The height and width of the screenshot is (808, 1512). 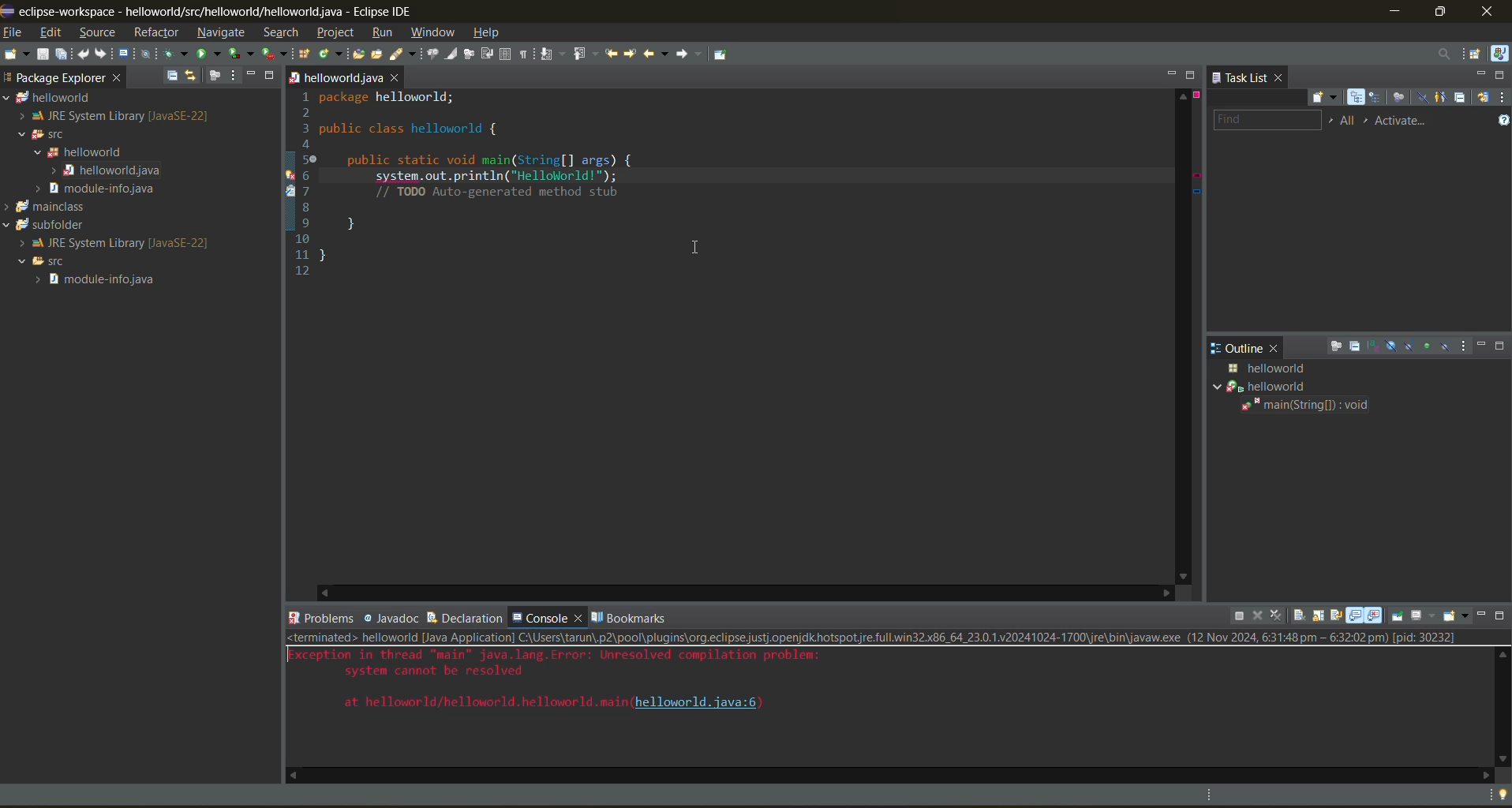 What do you see at coordinates (392, 618) in the screenshot?
I see `javadoc` at bounding box center [392, 618].